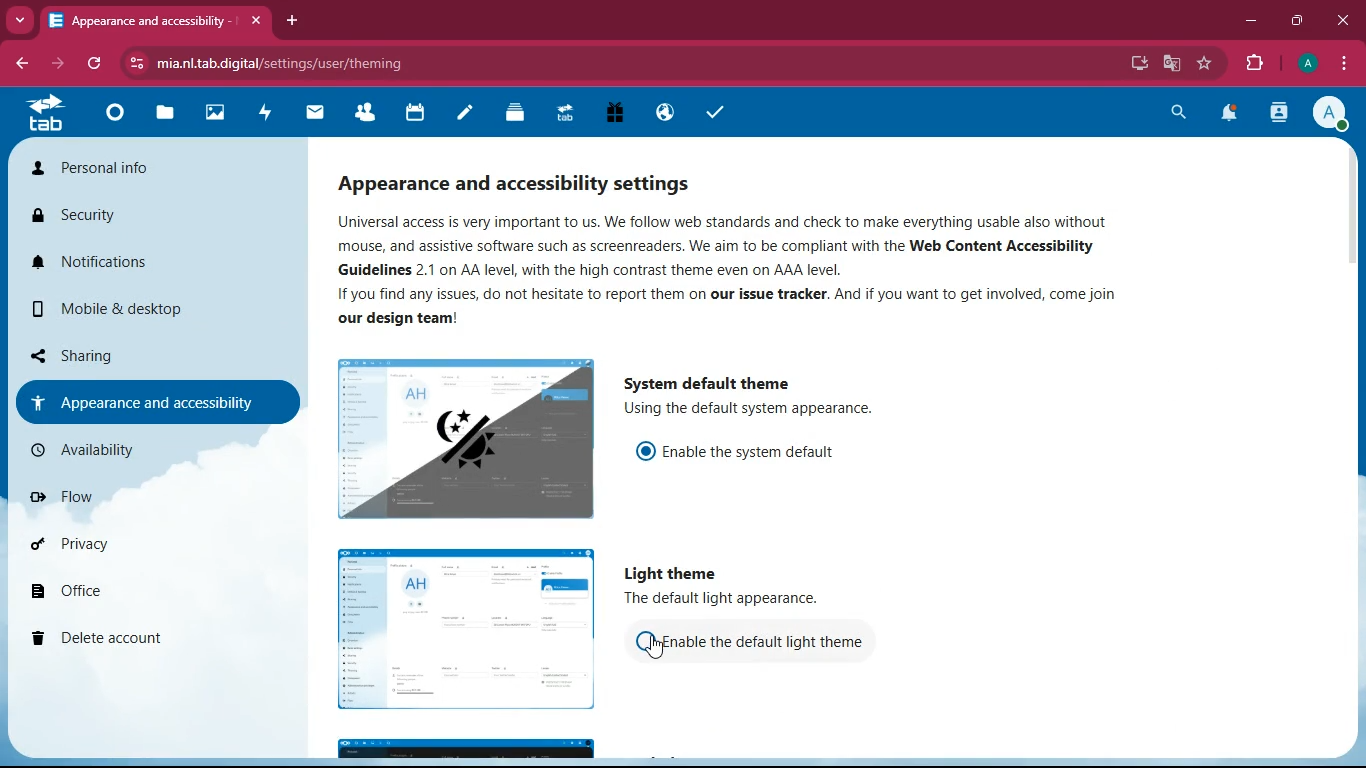  What do you see at coordinates (1131, 63) in the screenshot?
I see `desktop` at bounding box center [1131, 63].